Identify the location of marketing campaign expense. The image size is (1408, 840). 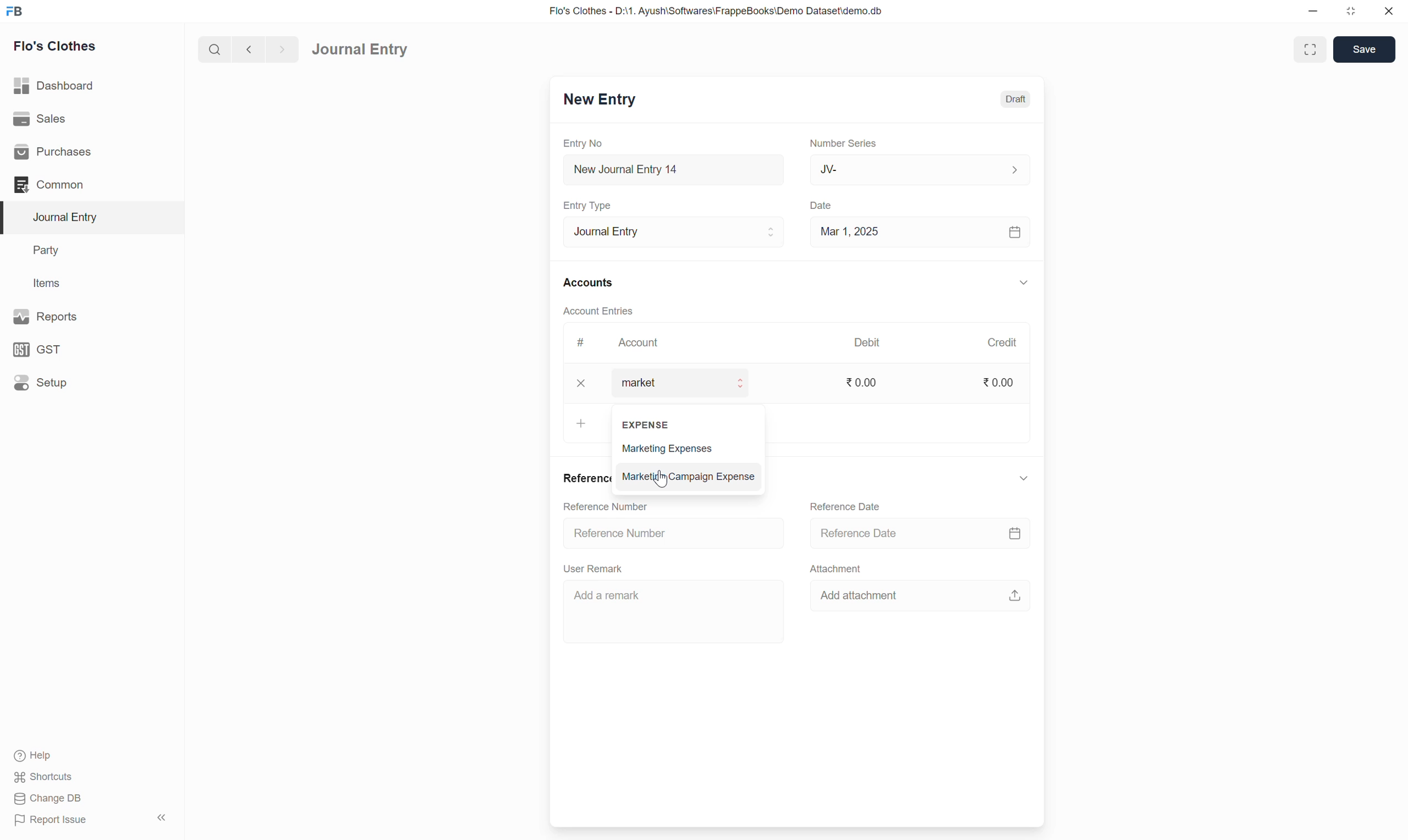
(691, 476).